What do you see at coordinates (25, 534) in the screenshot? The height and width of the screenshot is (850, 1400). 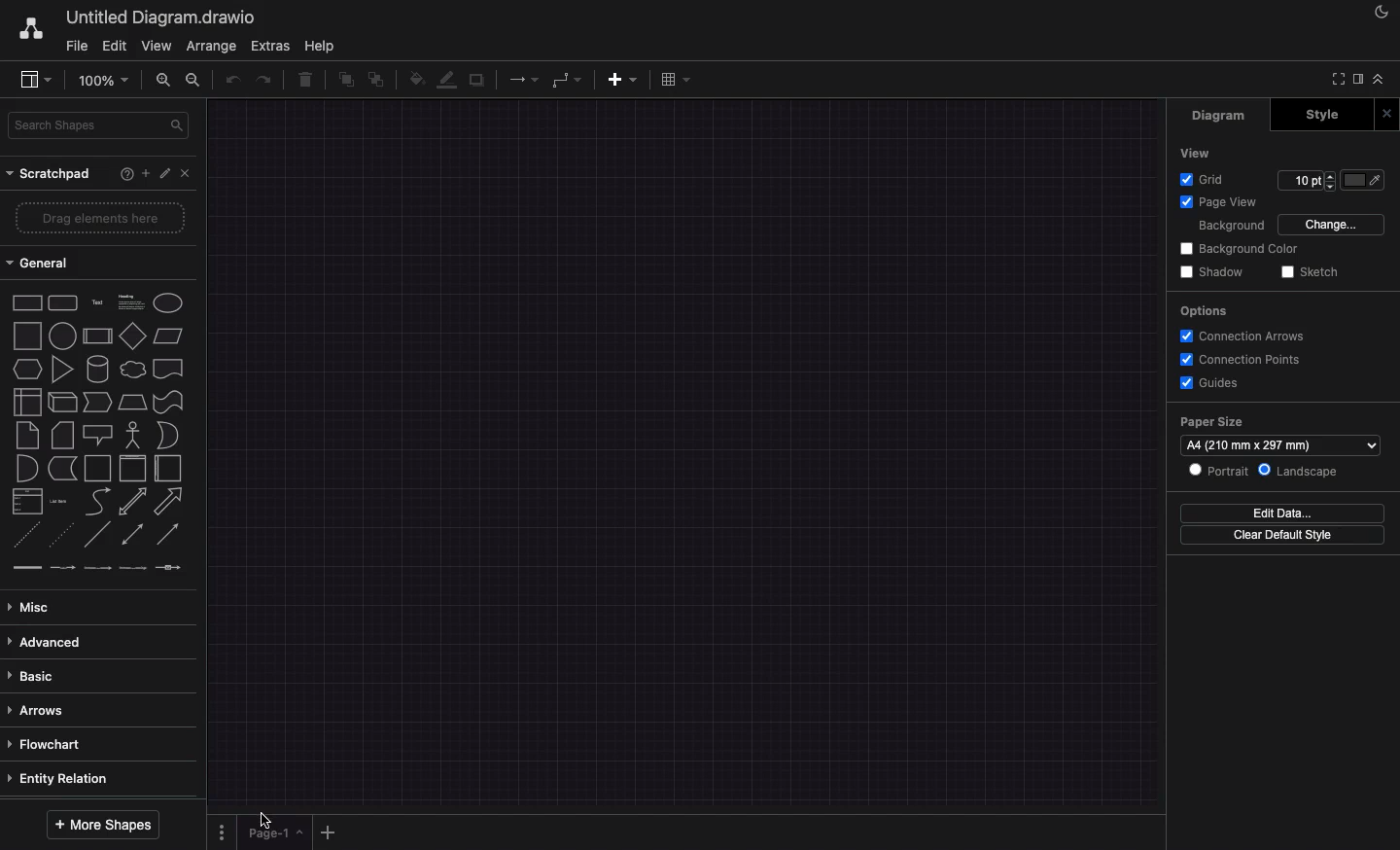 I see `dashed line` at bounding box center [25, 534].